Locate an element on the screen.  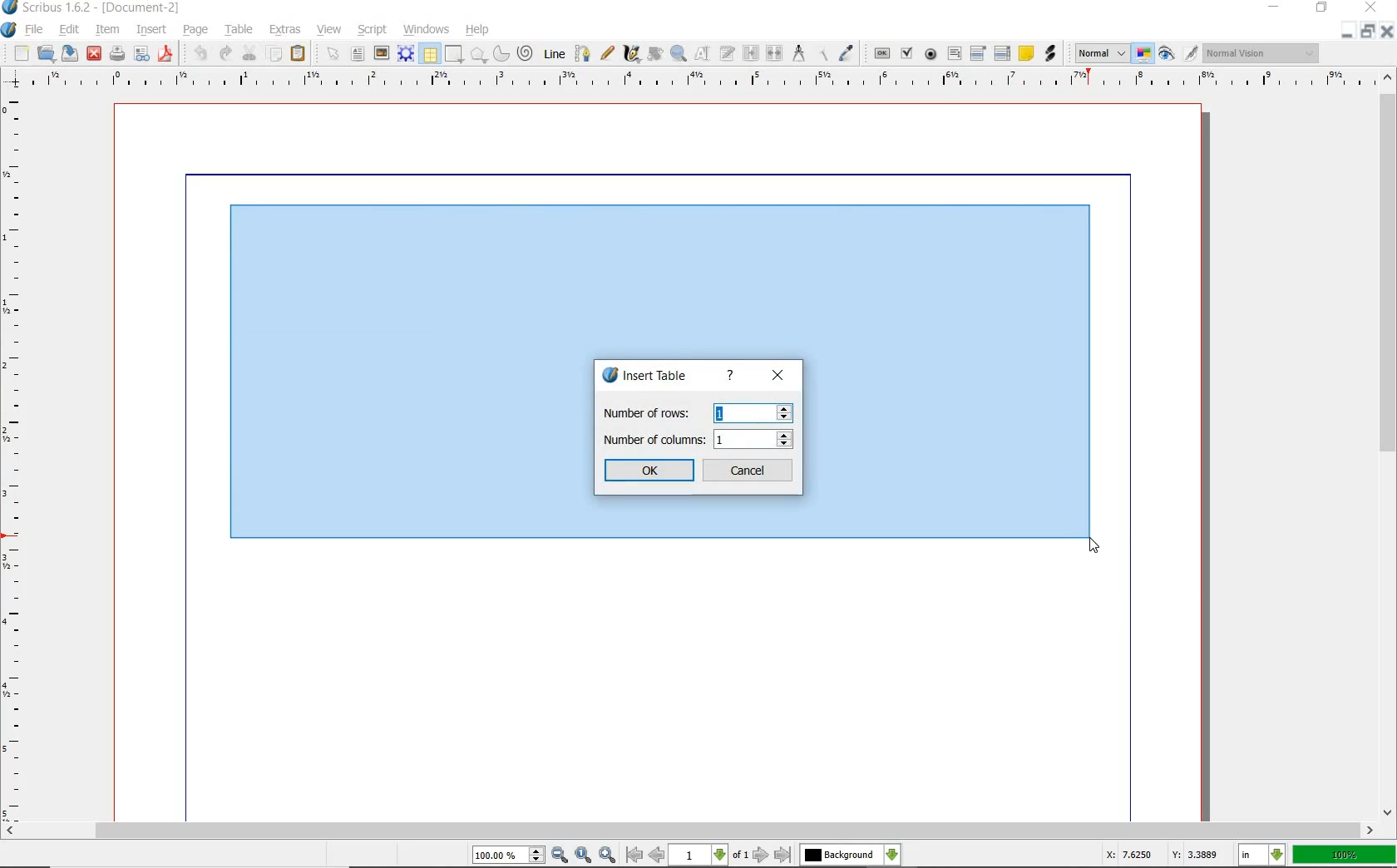
save is located at coordinates (69, 55).